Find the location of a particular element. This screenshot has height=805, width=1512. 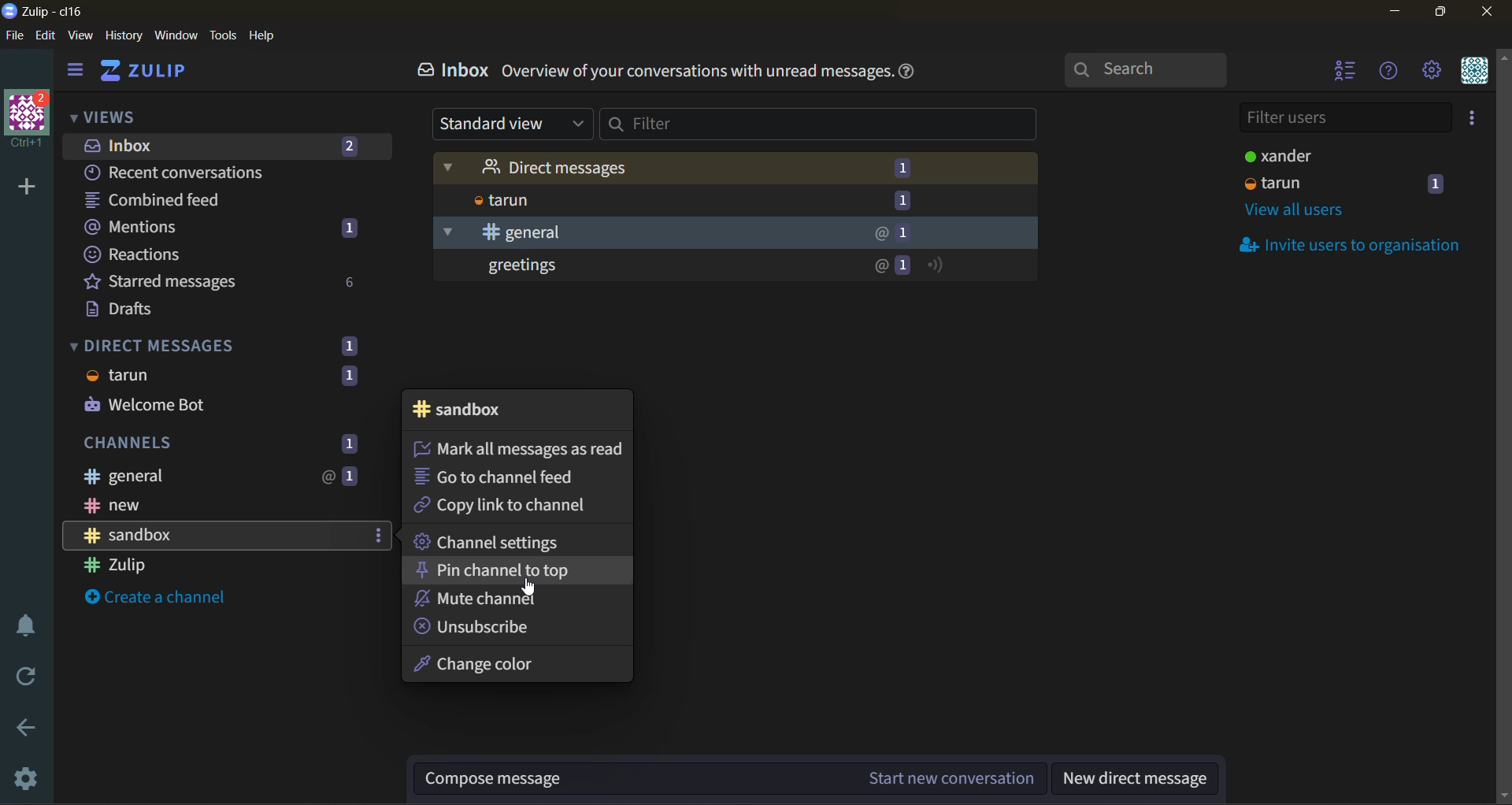

options is located at coordinates (379, 536).